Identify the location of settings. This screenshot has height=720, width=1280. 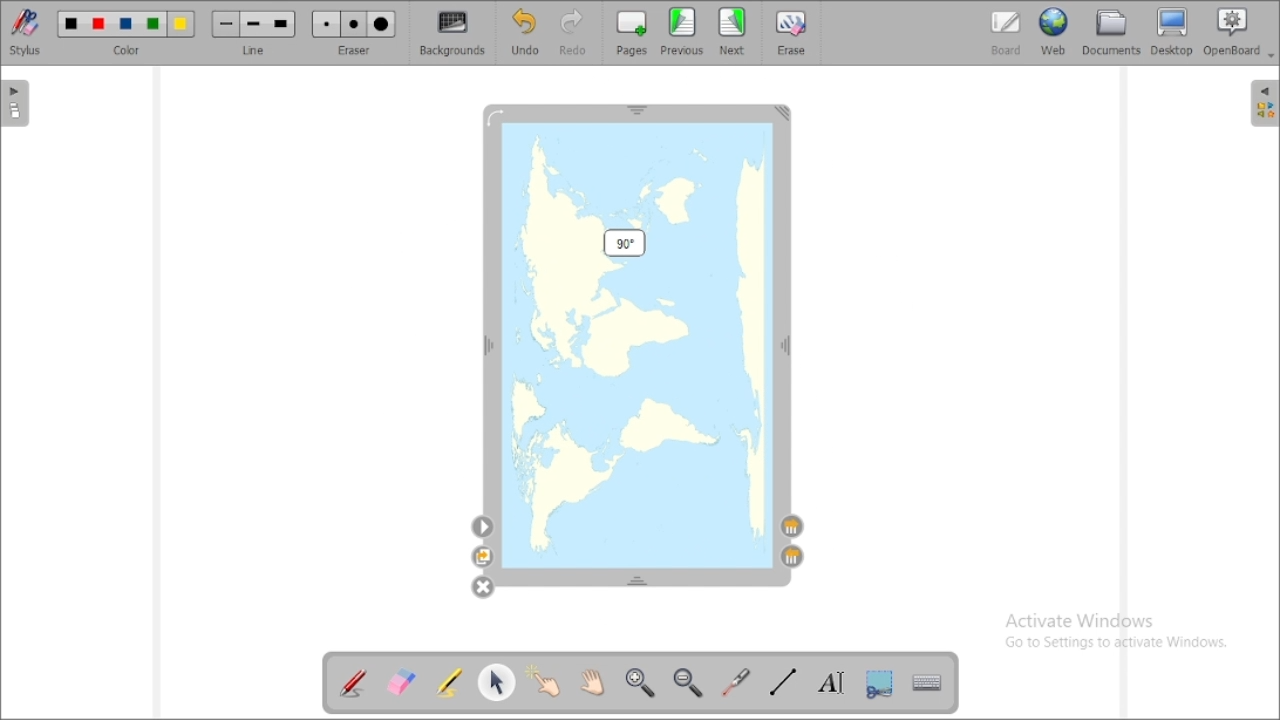
(483, 527).